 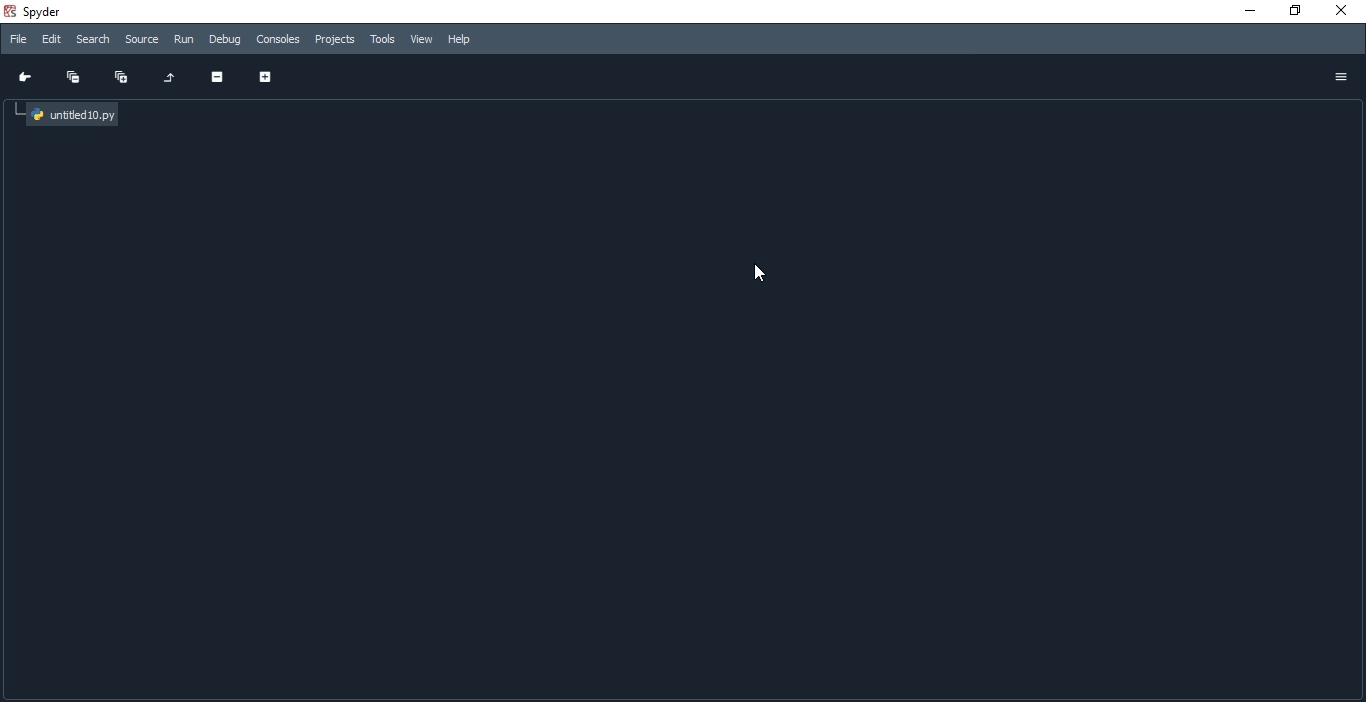 What do you see at coordinates (224, 40) in the screenshot?
I see `Debug` at bounding box center [224, 40].